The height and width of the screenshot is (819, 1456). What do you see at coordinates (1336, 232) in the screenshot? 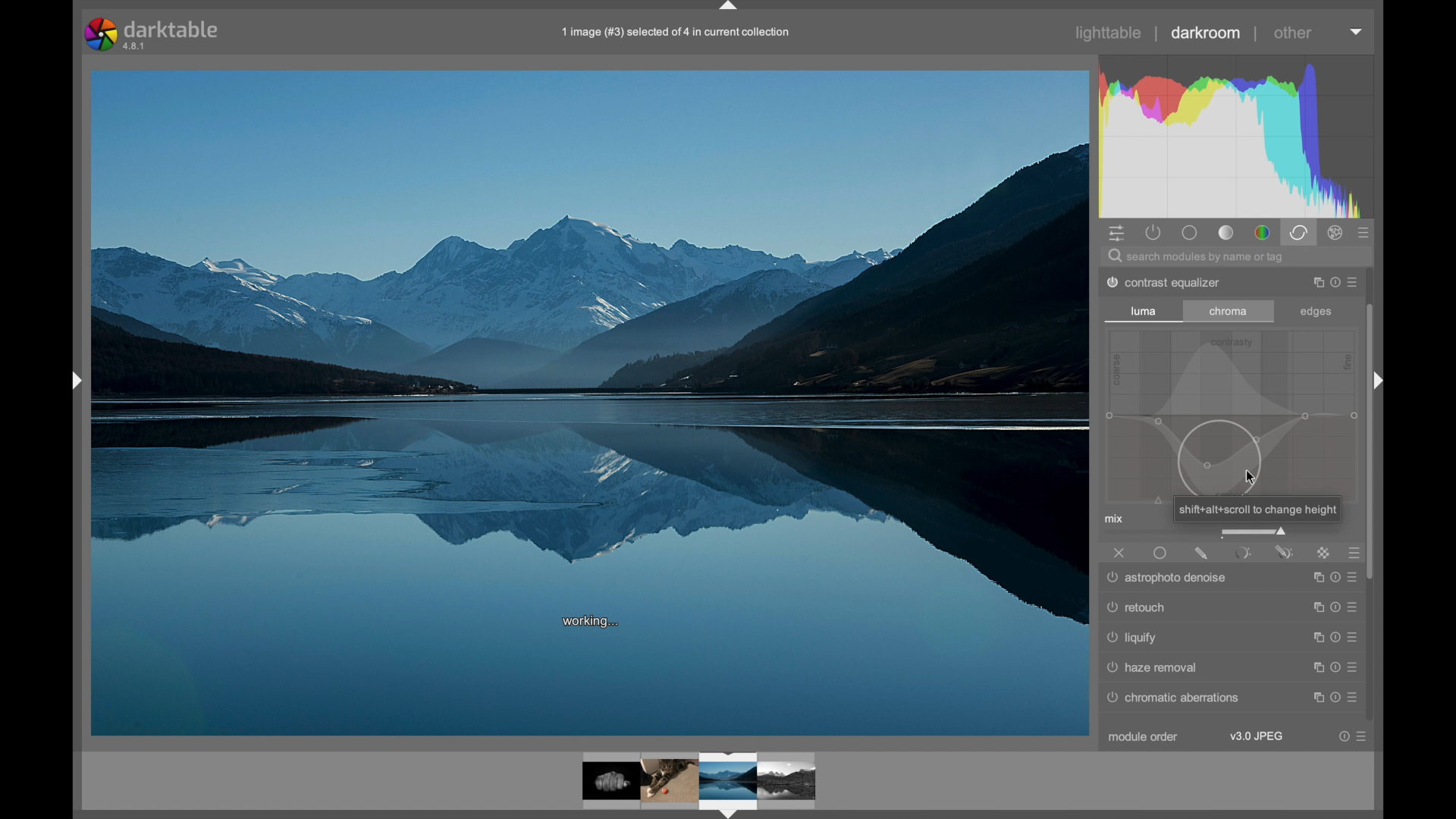
I see `effect` at bounding box center [1336, 232].